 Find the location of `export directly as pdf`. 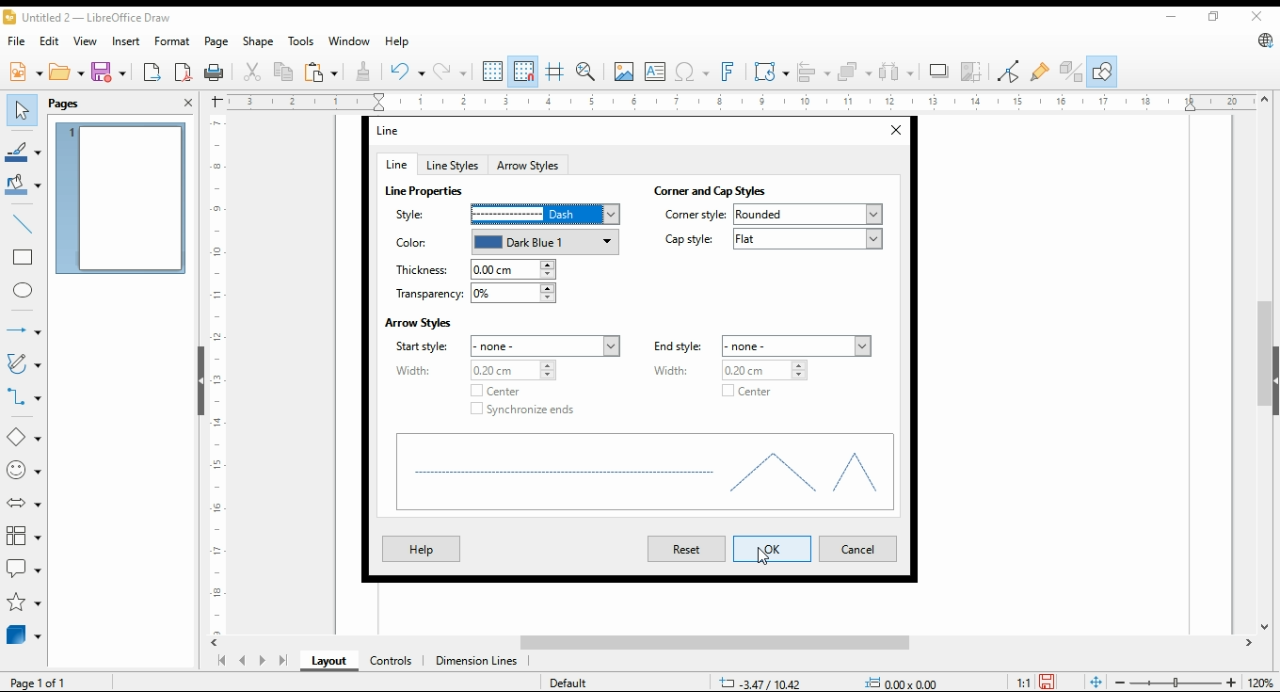

export directly as pdf is located at coordinates (184, 71).